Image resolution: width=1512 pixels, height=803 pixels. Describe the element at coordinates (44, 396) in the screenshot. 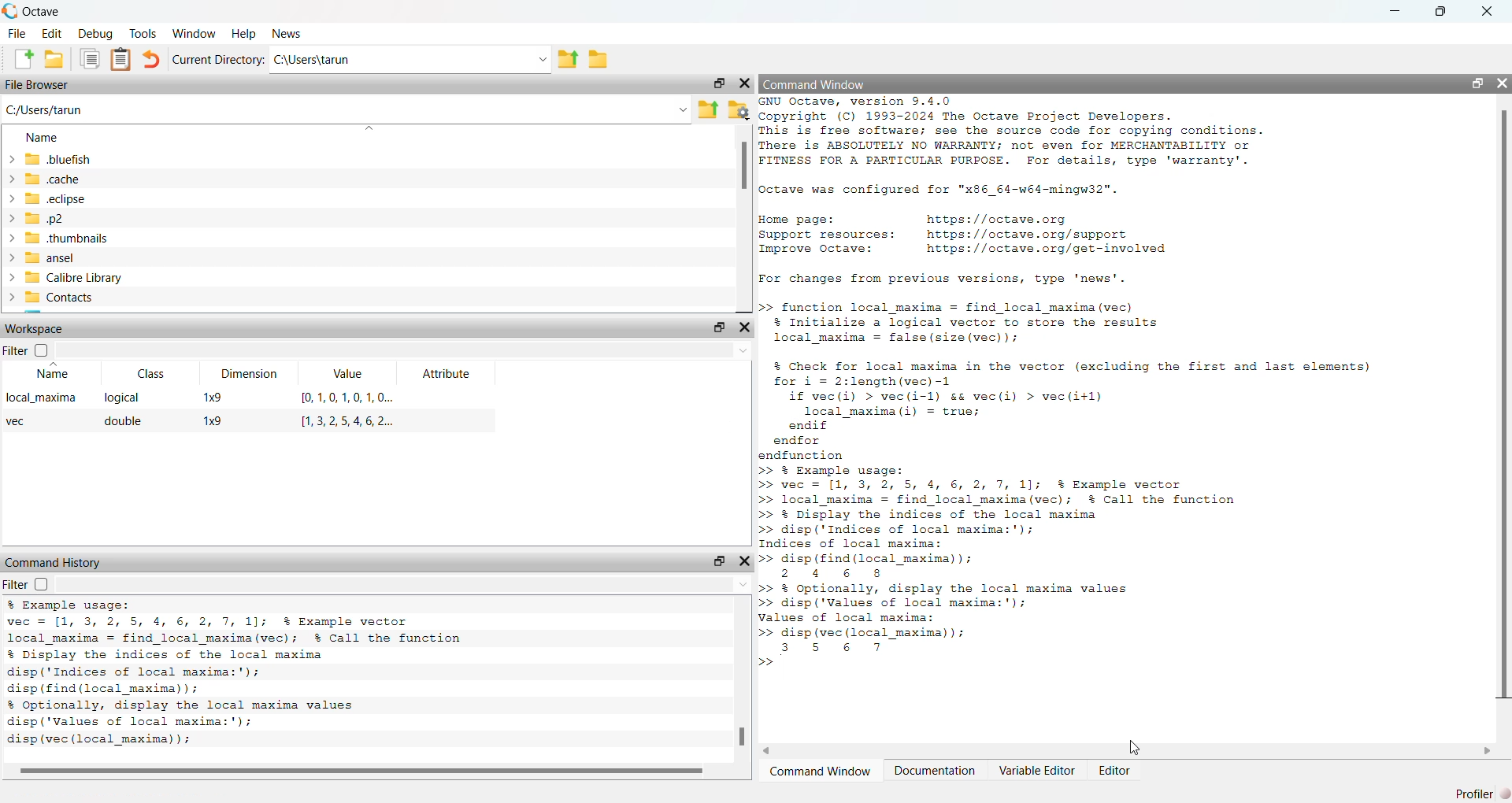

I see `local_maxima` at that location.